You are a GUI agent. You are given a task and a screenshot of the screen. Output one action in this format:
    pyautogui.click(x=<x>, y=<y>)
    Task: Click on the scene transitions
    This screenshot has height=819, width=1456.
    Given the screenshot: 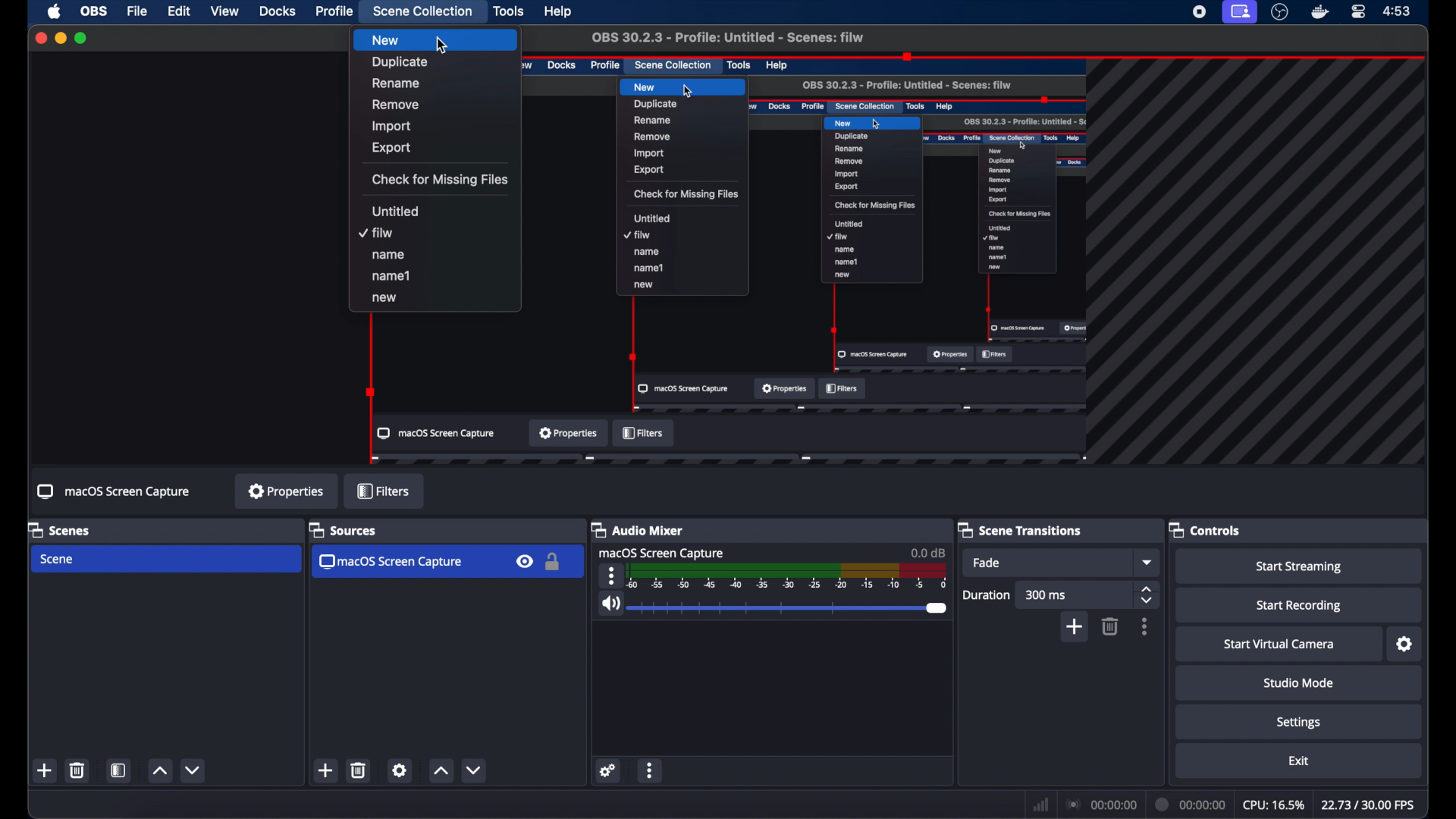 What is the action you would take?
    pyautogui.click(x=1021, y=529)
    